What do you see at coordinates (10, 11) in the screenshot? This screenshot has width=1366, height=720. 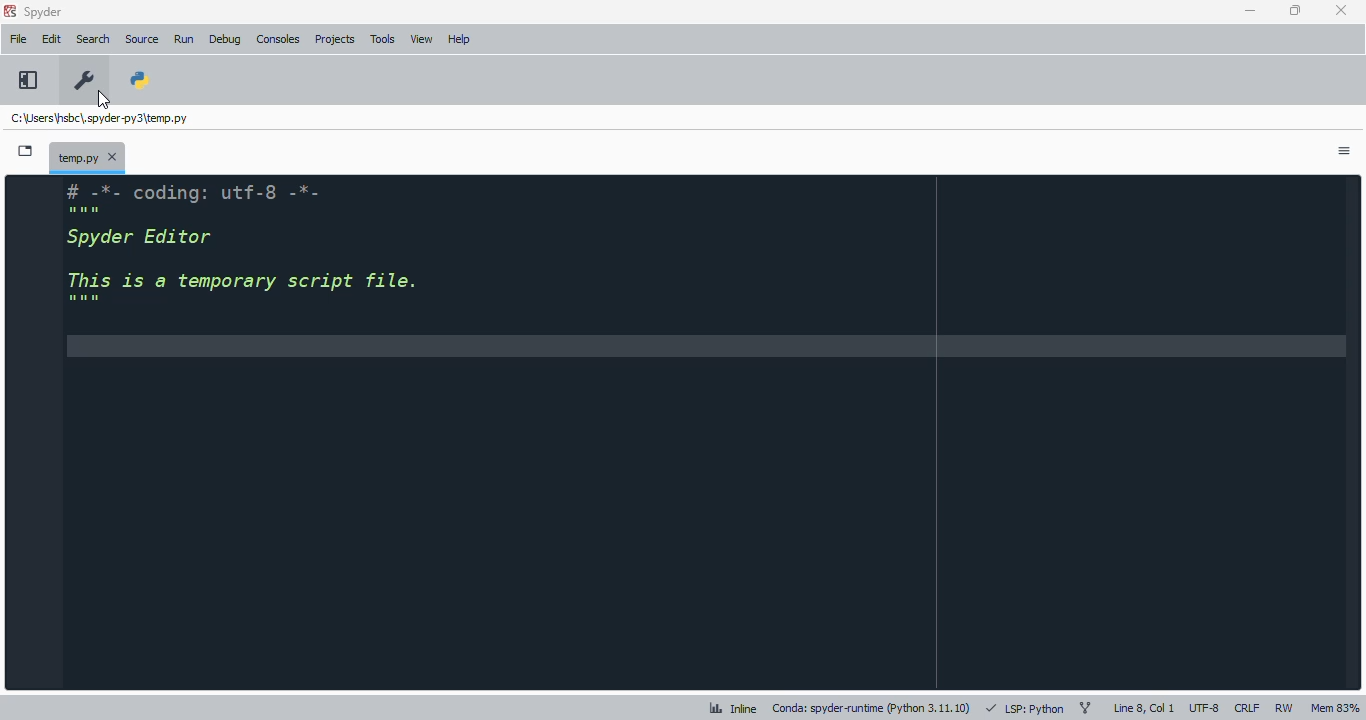 I see `logo` at bounding box center [10, 11].